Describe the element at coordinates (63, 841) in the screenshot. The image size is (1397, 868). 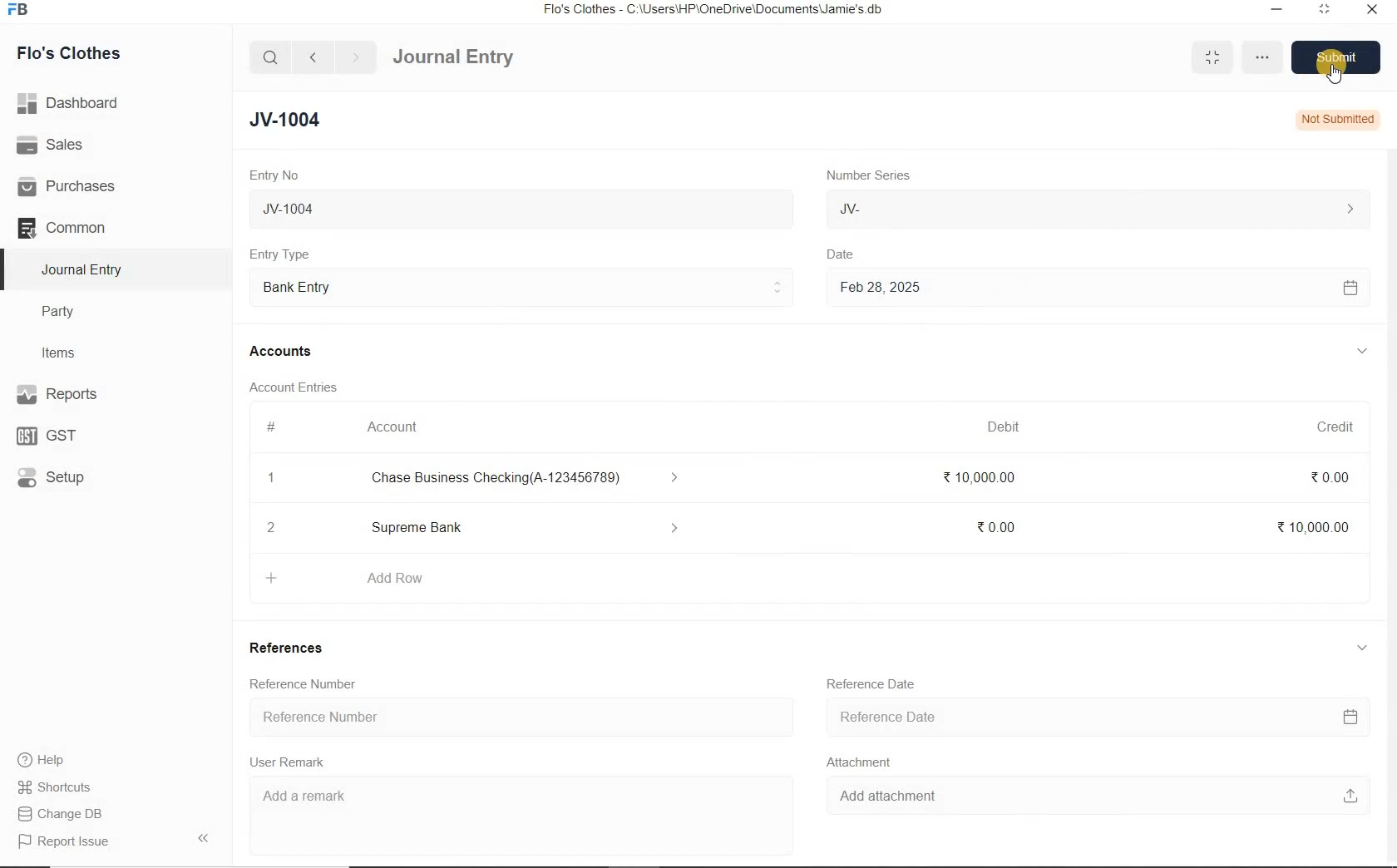
I see `Report Issue` at that location.